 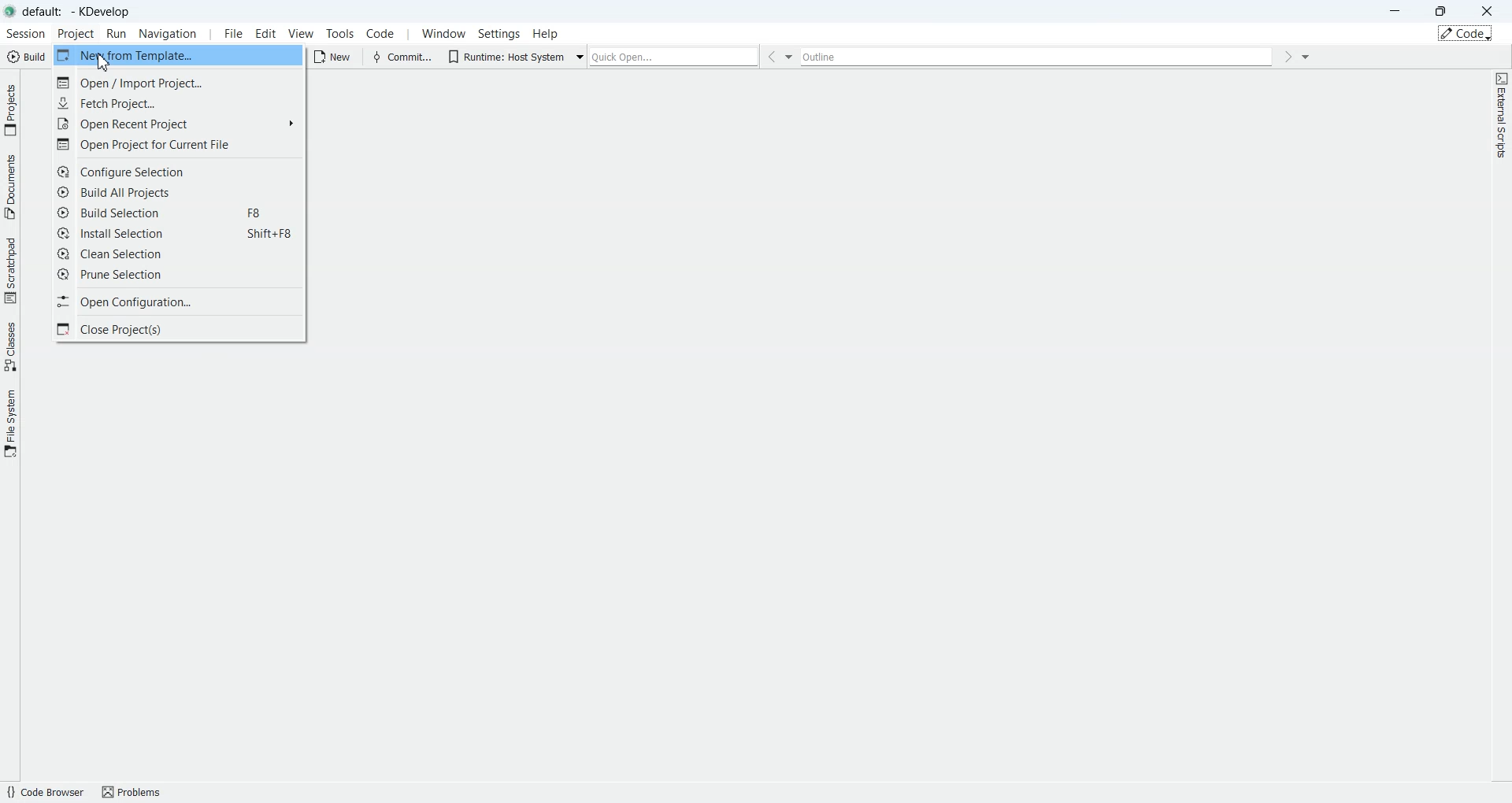 I want to click on Run, so click(x=118, y=35).